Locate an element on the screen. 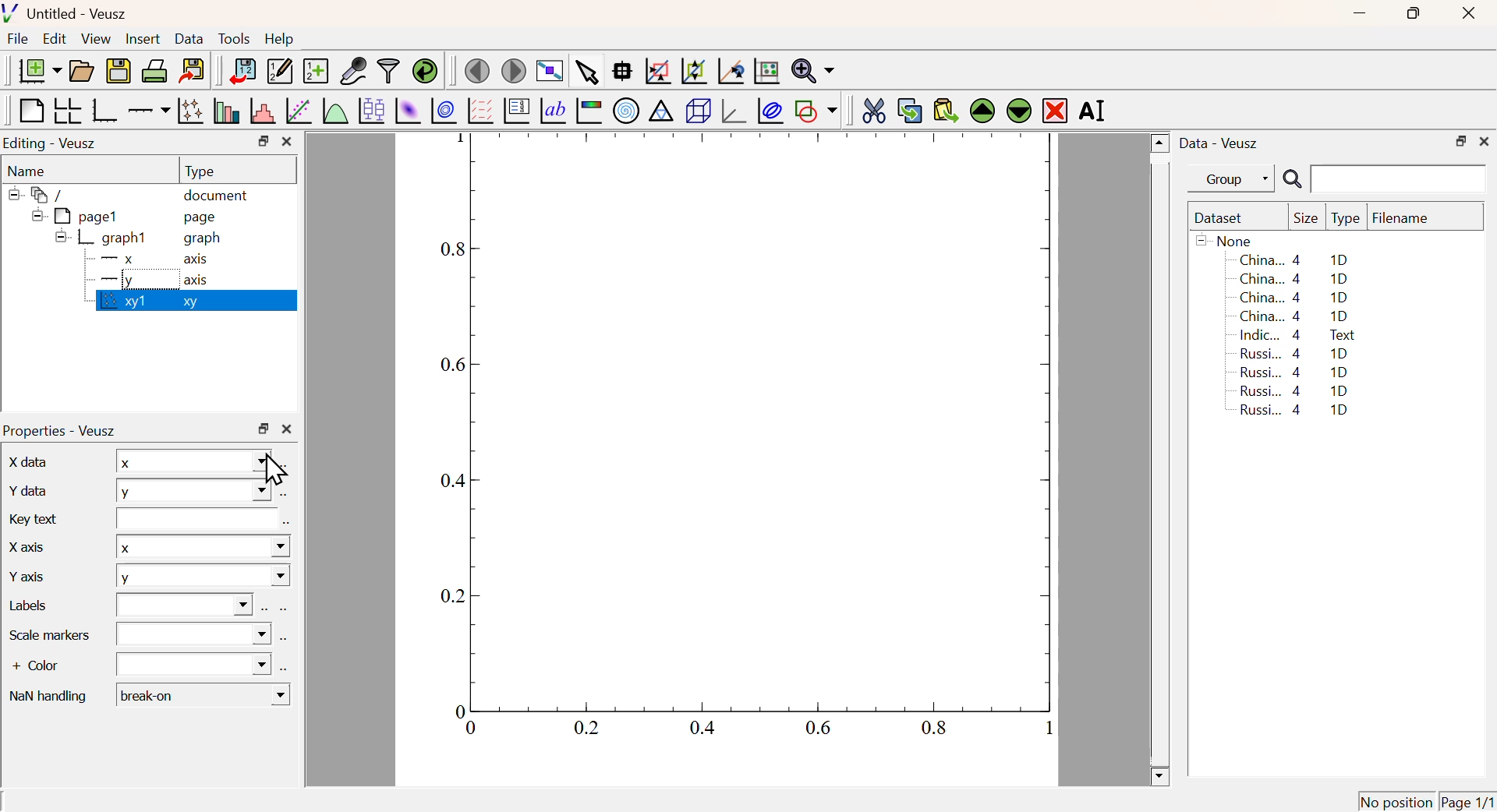  Close is located at coordinates (287, 430).